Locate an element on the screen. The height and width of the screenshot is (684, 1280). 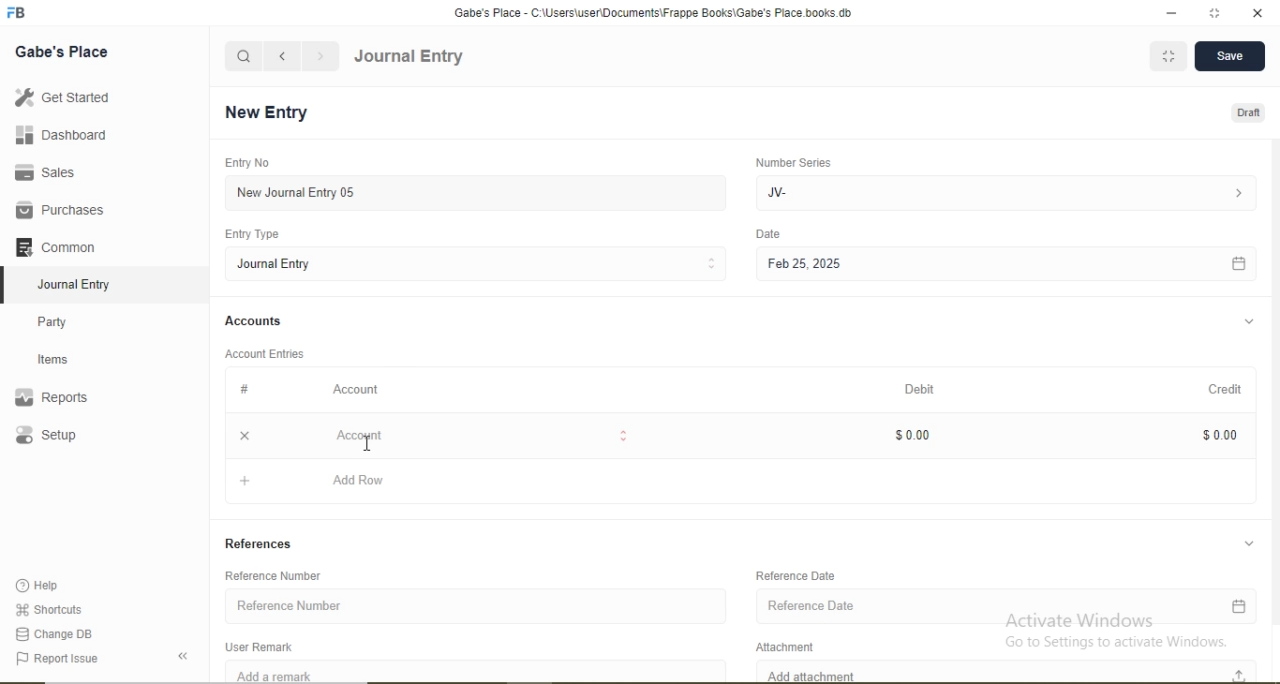
$0.00 is located at coordinates (1217, 434).